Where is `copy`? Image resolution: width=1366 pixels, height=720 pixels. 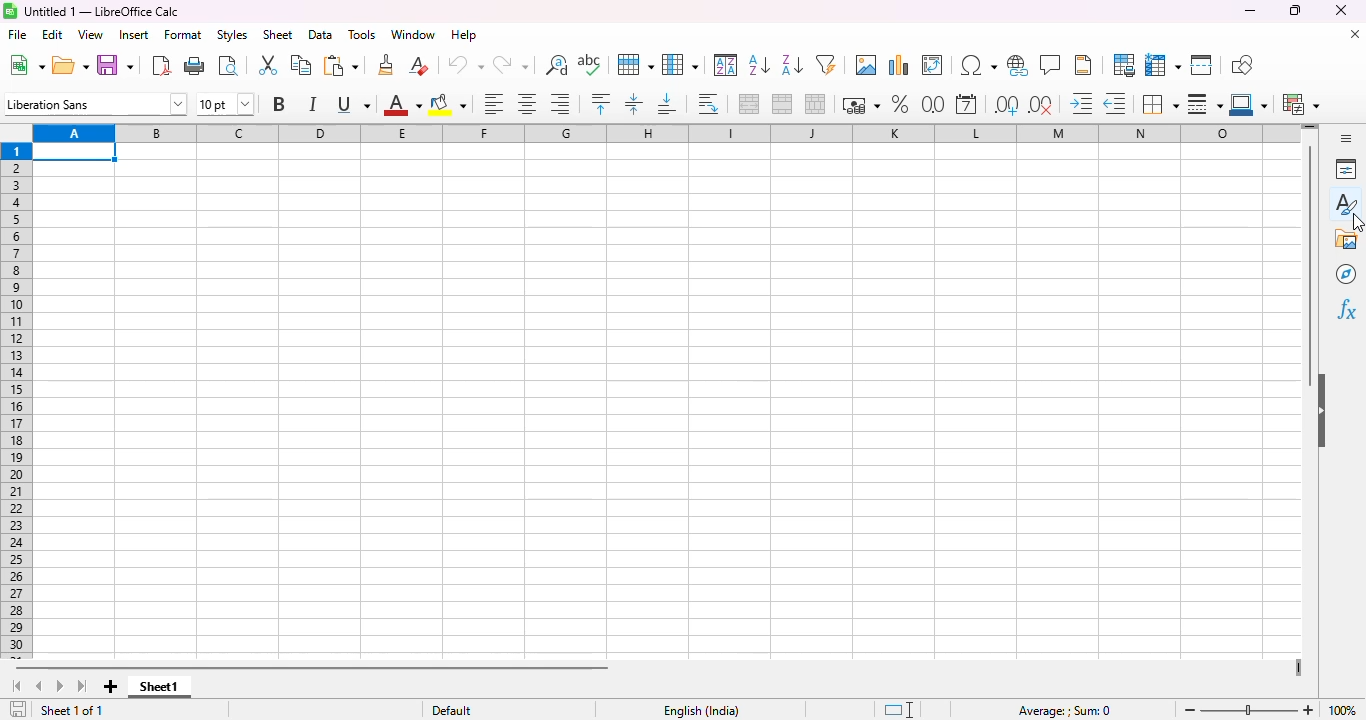
copy is located at coordinates (302, 64).